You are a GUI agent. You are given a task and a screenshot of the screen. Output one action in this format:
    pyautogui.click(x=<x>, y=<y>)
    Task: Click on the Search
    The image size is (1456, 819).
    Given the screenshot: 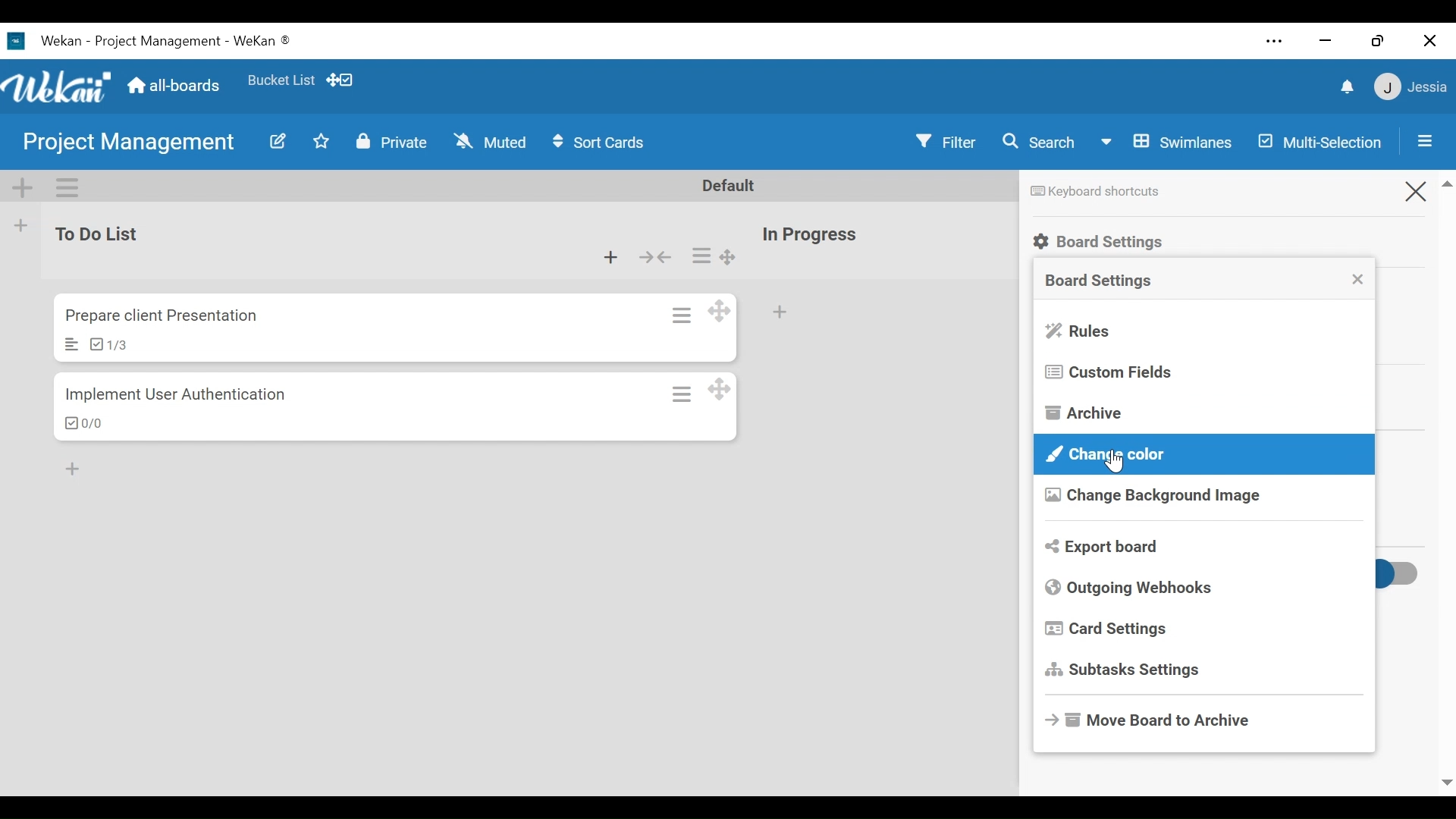 What is the action you would take?
    pyautogui.click(x=1040, y=143)
    